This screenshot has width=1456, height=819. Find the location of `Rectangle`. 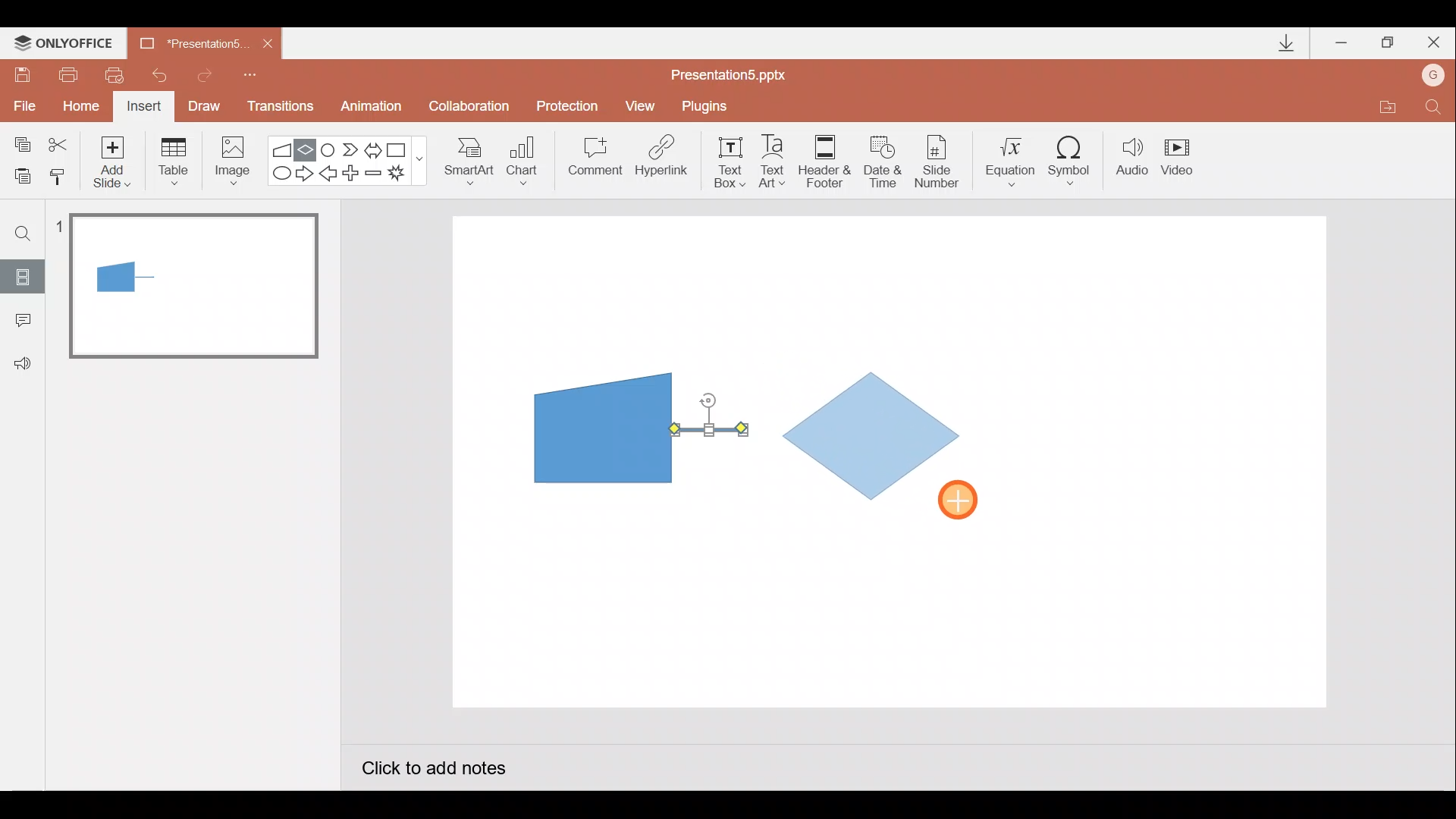

Rectangle is located at coordinates (400, 149).